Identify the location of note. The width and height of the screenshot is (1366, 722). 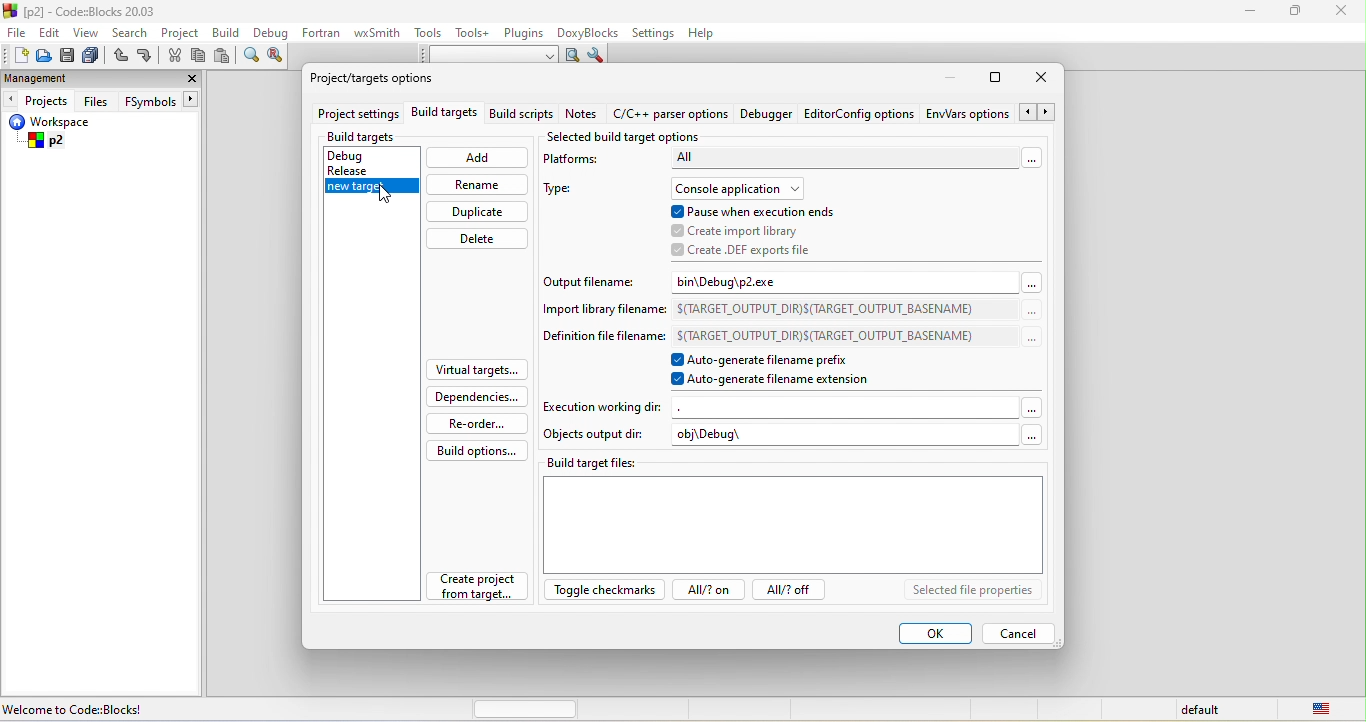
(583, 116).